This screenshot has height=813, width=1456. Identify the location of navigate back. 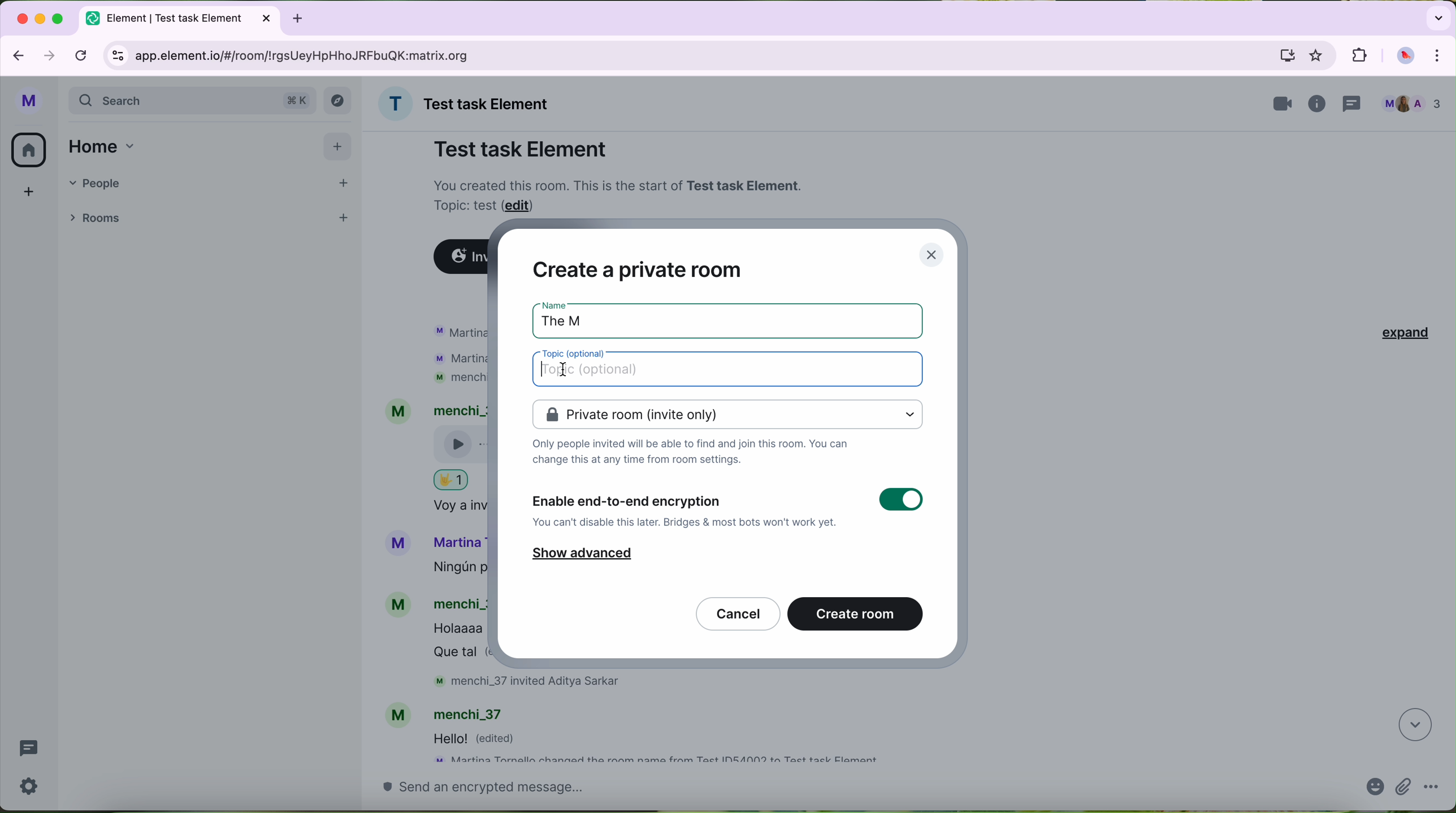
(15, 53).